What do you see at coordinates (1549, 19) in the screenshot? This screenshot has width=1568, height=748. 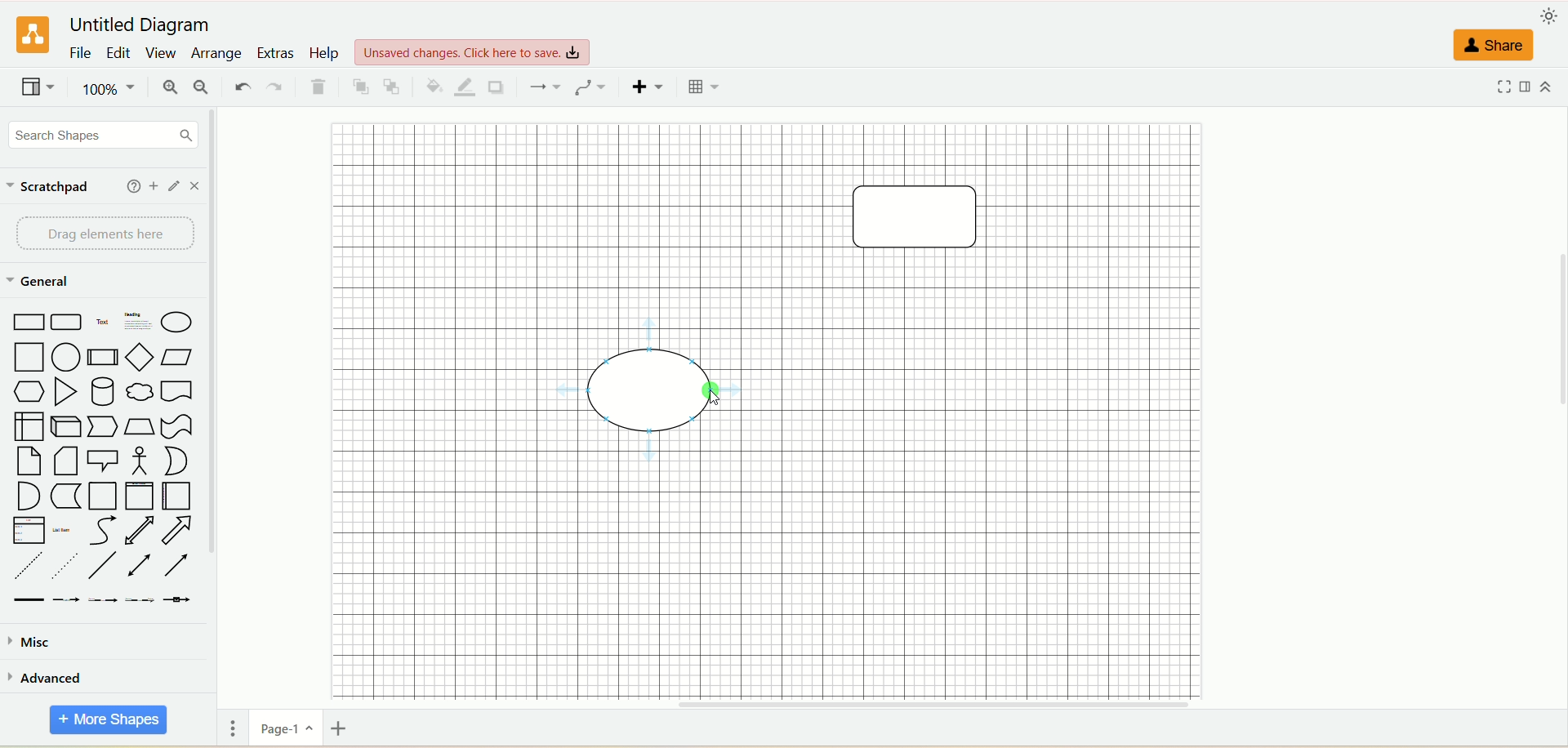 I see `appearance` at bounding box center [1549, 19].